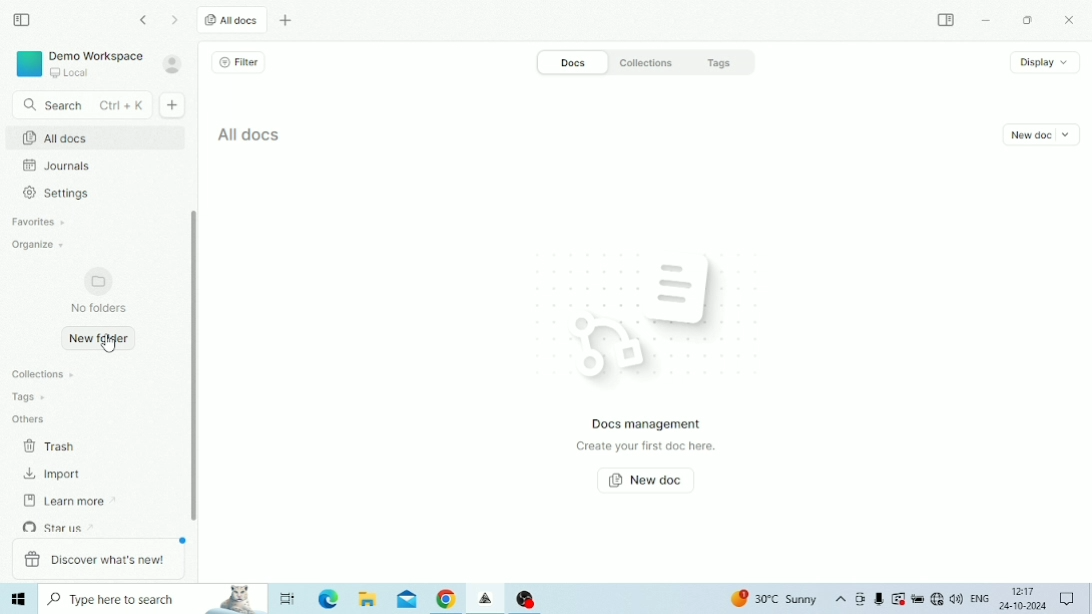  What do you see at coordinates (195, 367) in the screenshot?
I see `Vertical scrollbar` at bounding box center [195, 367].